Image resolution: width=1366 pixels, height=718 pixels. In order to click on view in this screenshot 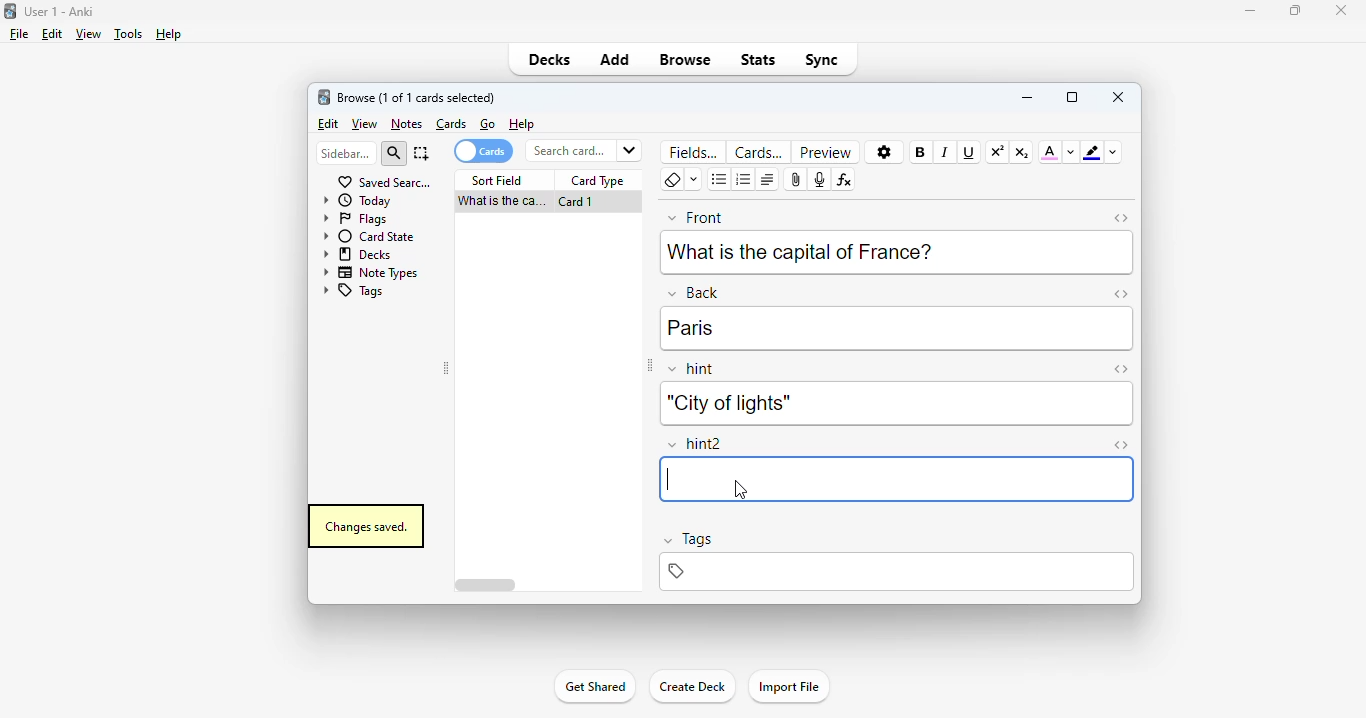, I will do `click(88, 33)`.